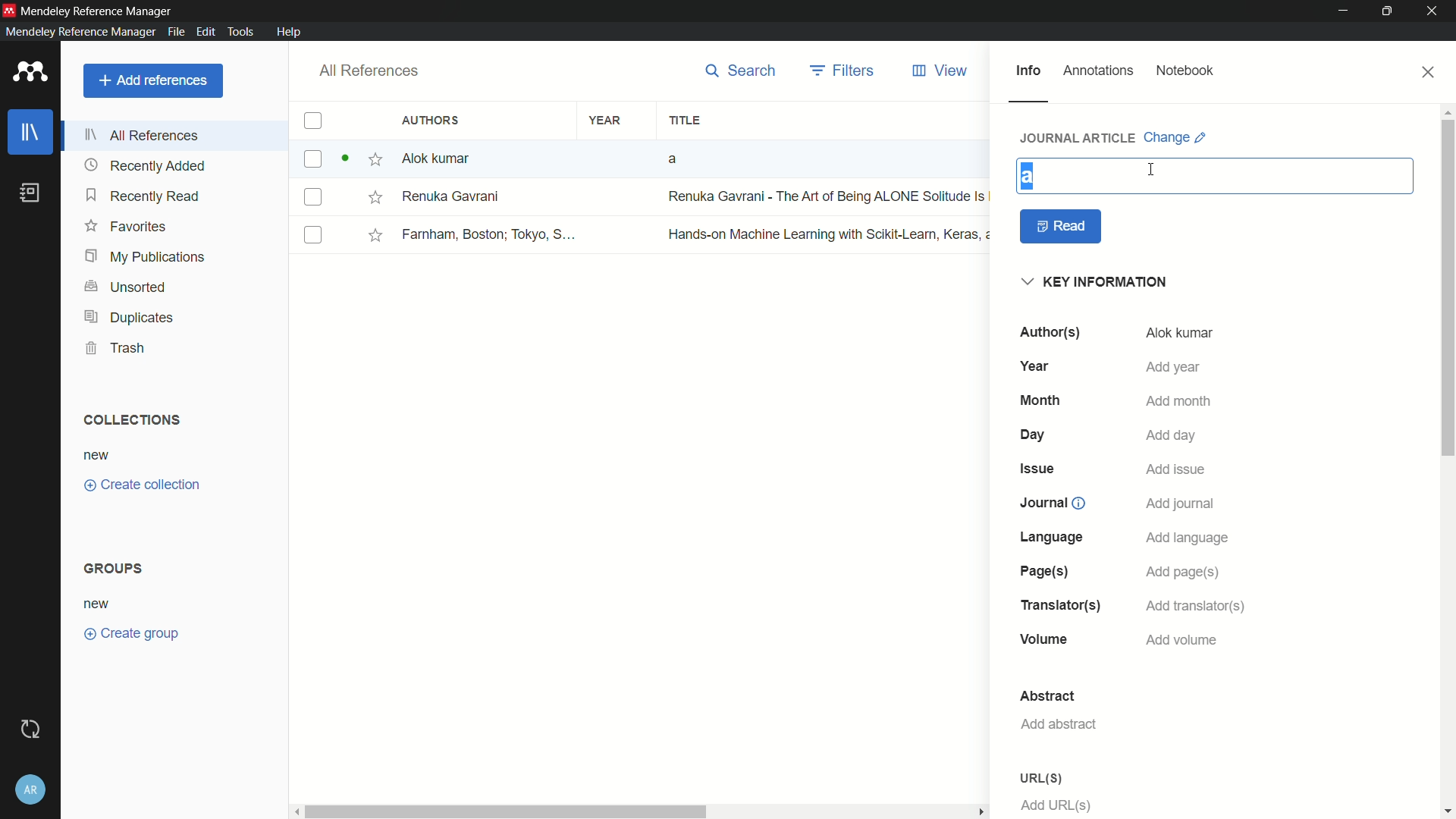  What do you see at coordinates (152, 80) in the screenshot?
I see `add reference` at bounding box center [152, 80].